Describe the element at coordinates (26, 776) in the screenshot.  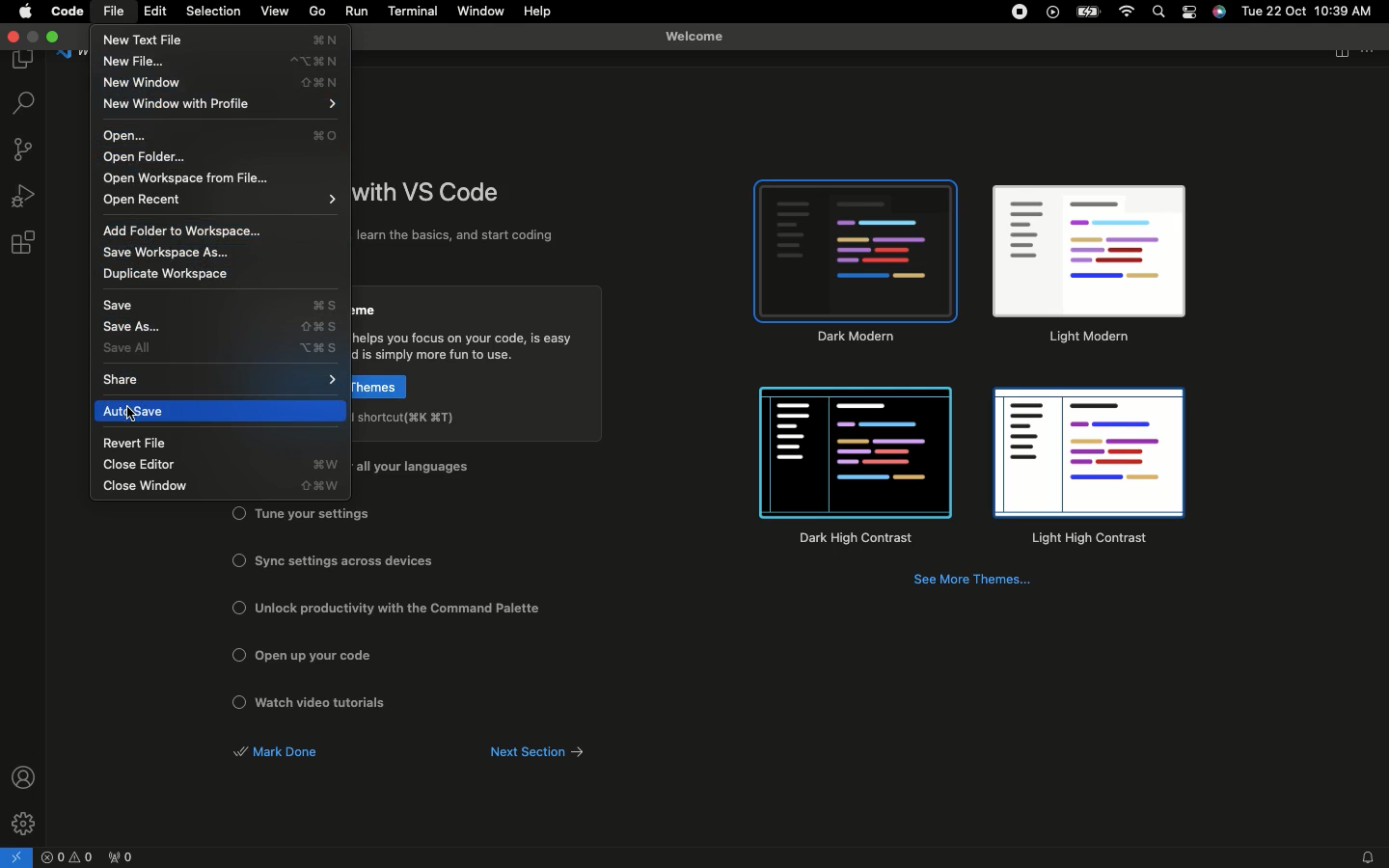
I see `Accounts` at that location.